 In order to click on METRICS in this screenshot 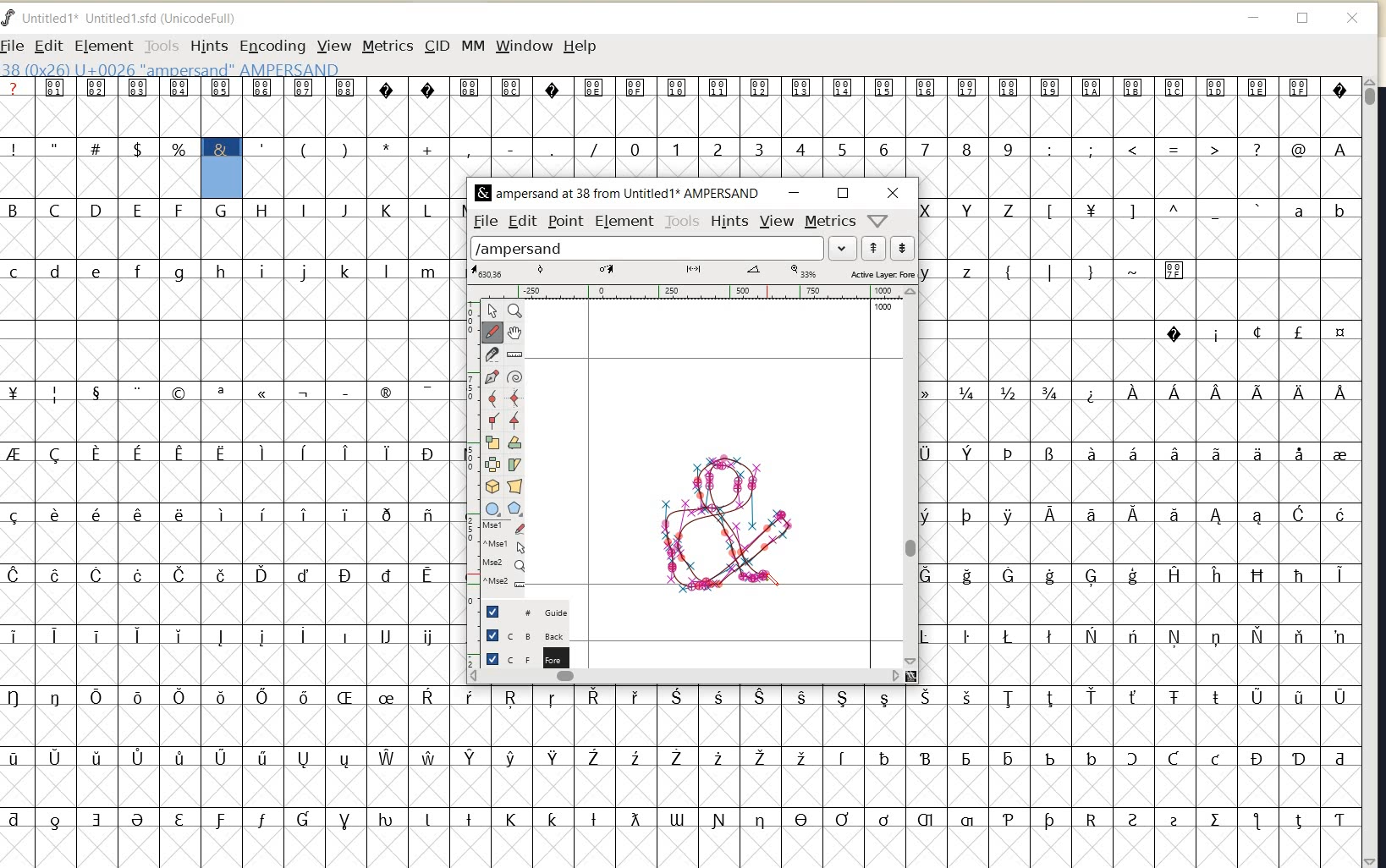, I will do `click(829, 222)`.